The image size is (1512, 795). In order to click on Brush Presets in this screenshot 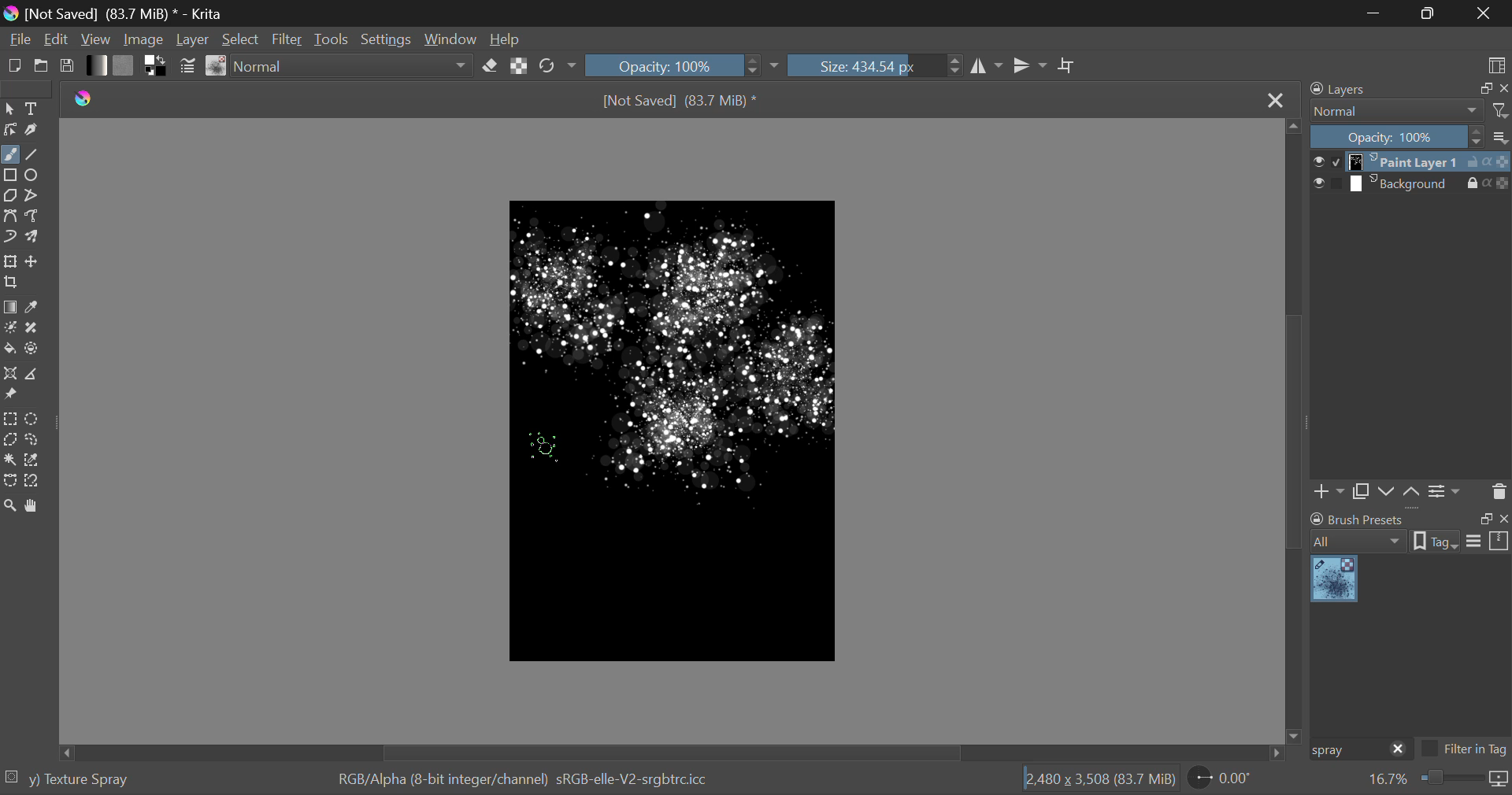, I will do `click(217, 66)`.